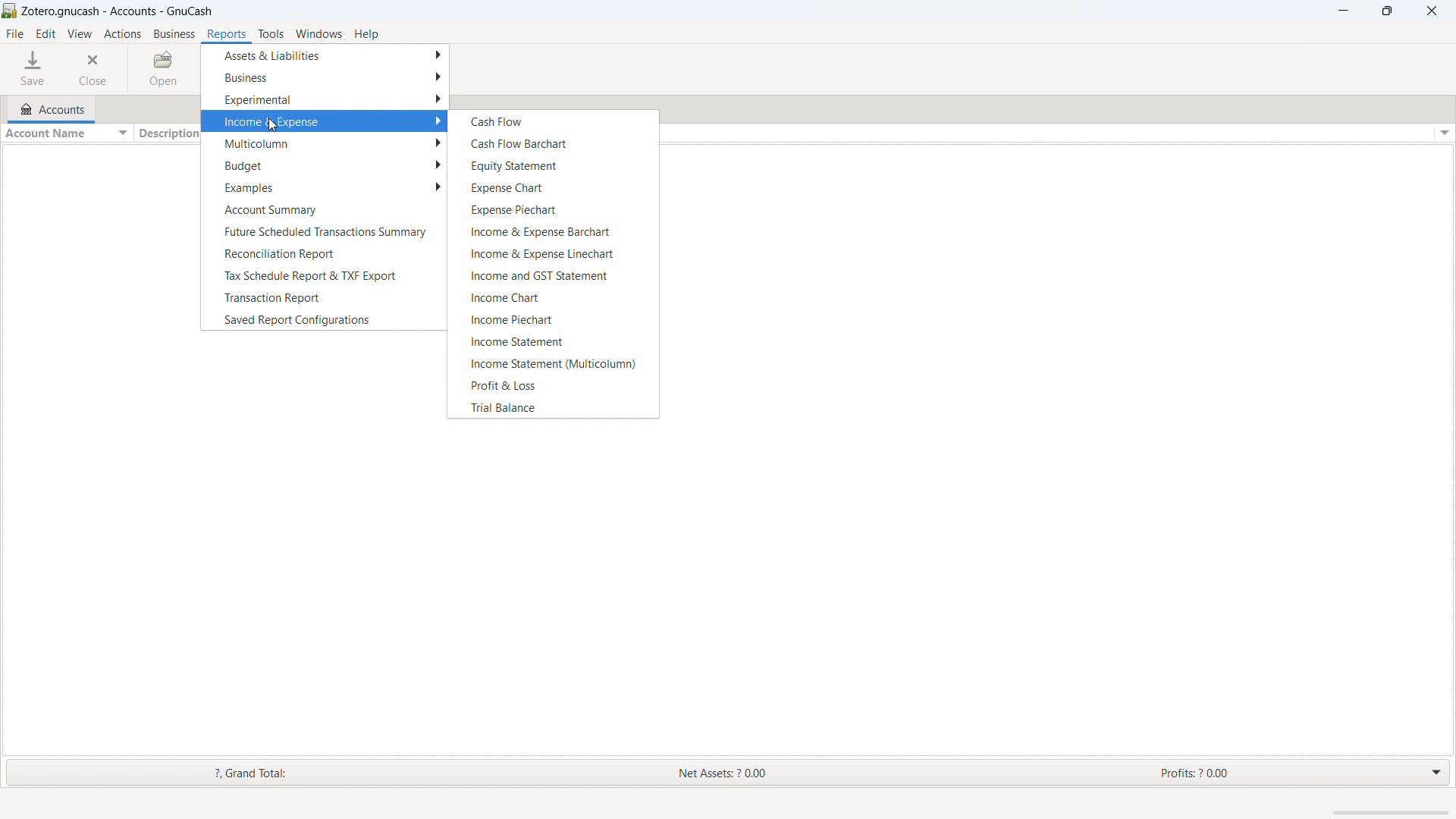 The height and width of the screenshot is (819, 1456). I want to click on minimize, so click(1344, 11).